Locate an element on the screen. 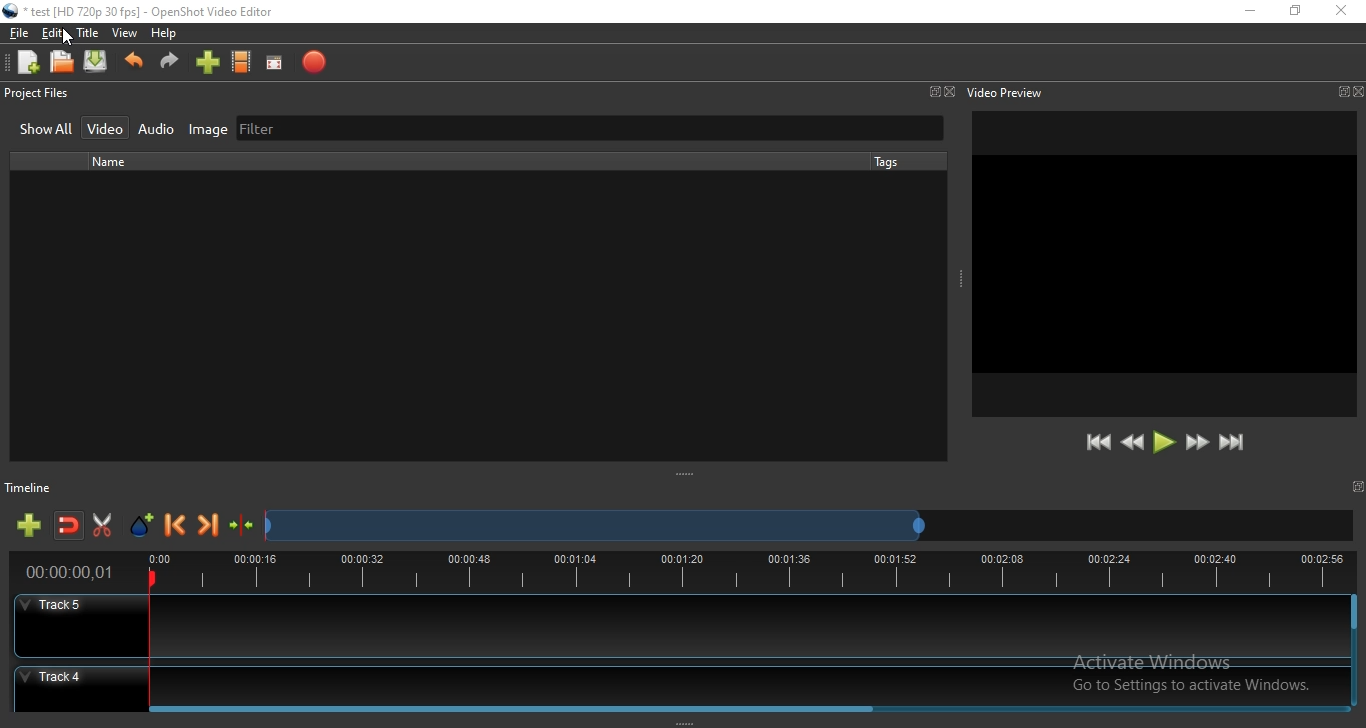  import files is located at coordinates (206, 65).